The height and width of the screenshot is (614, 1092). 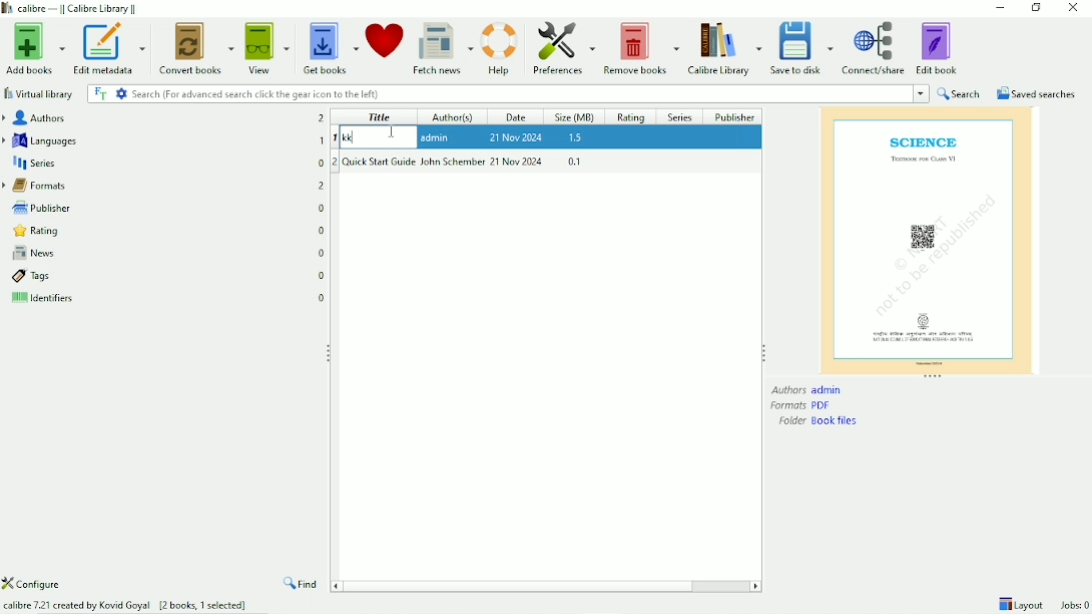 I want to click on 1, so click(x=322, y=140).